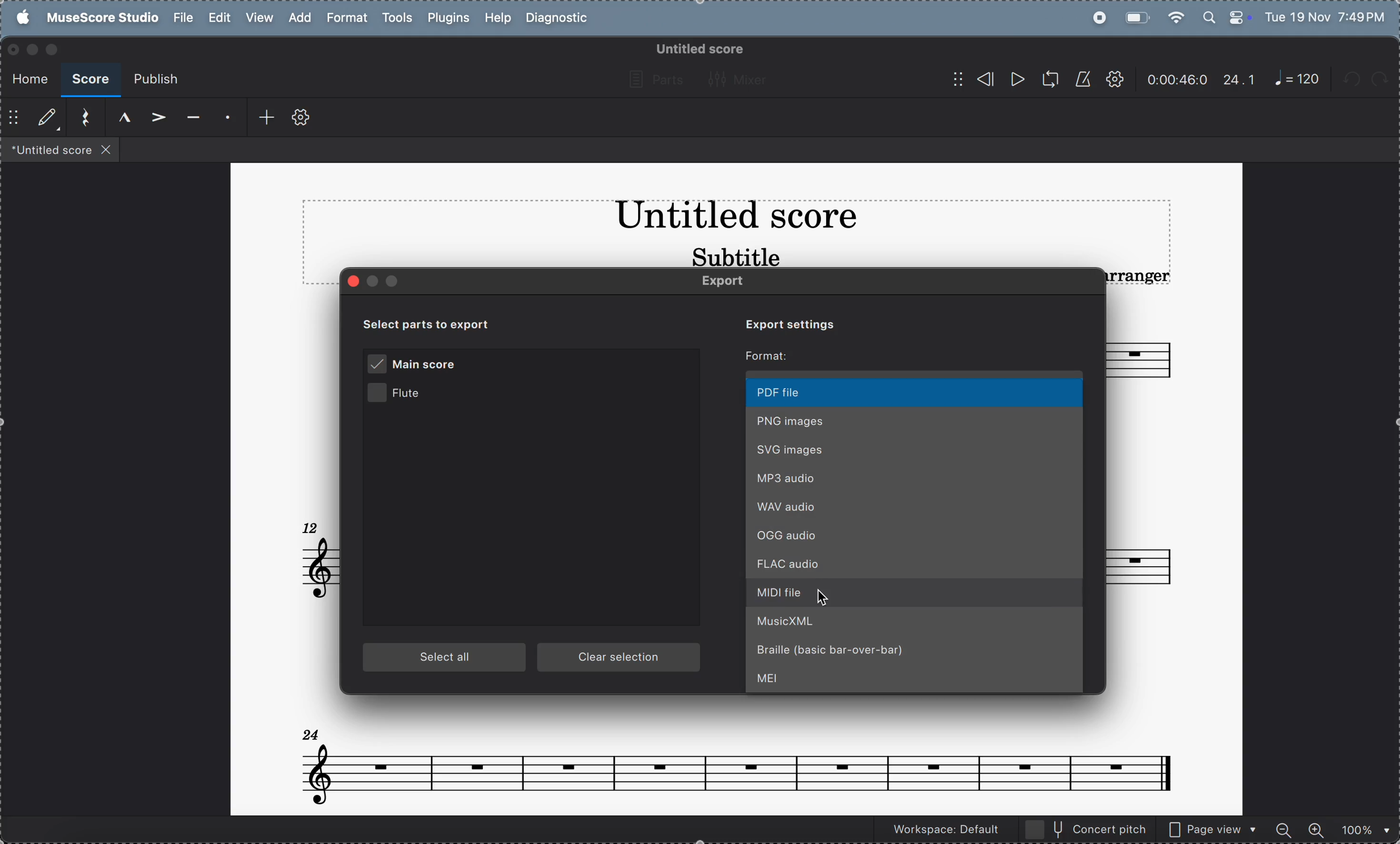 The width and height of the screenshot is (1400, 844). Describe the element at coordinates (918, 566) in the screenshot. I see `FLAC audio` at that location.